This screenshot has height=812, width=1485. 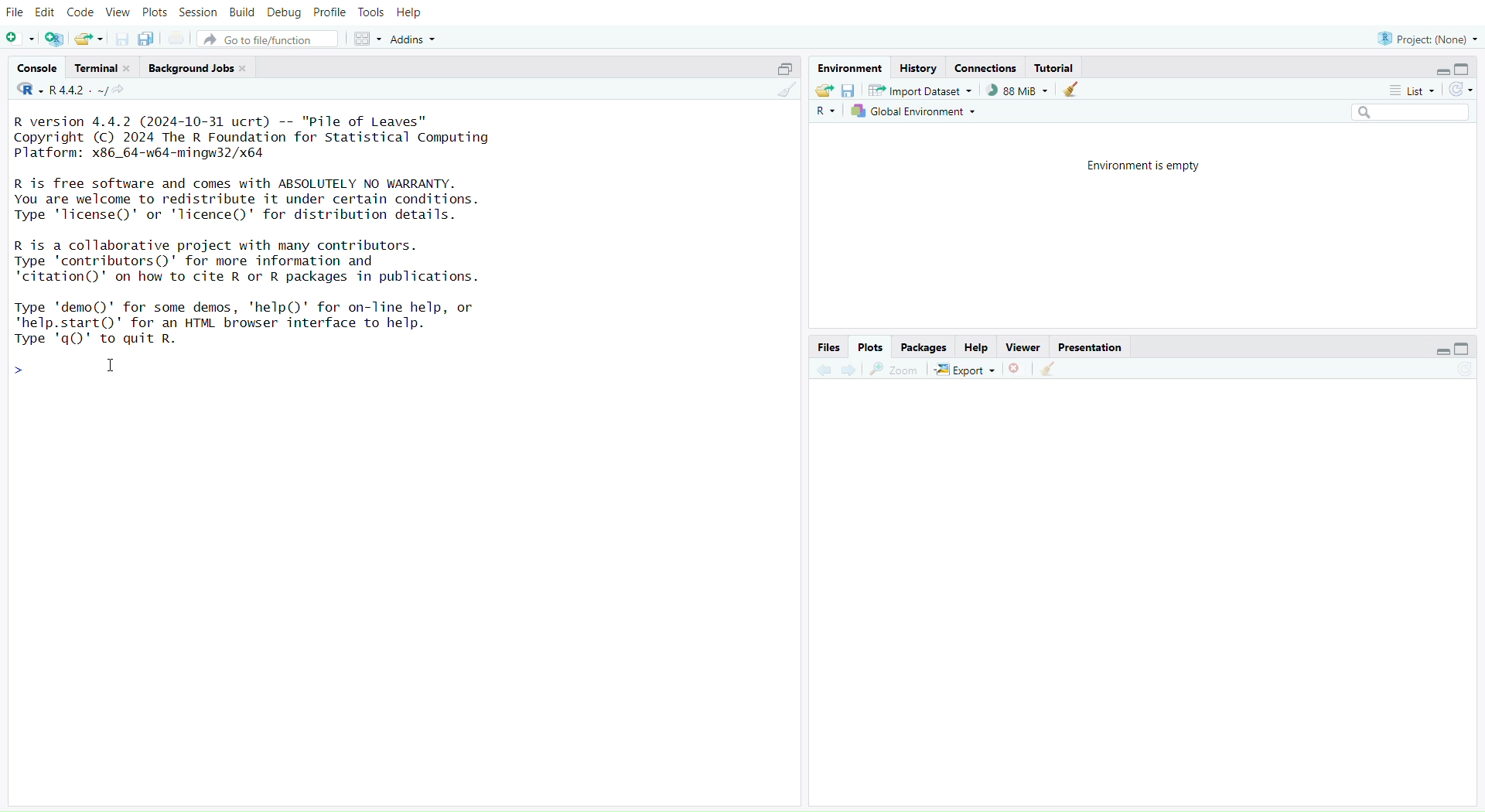 What do you see at coordinates (1441, 351) in the screenshot?
I see `expand` at bounding box center [1441, 351].